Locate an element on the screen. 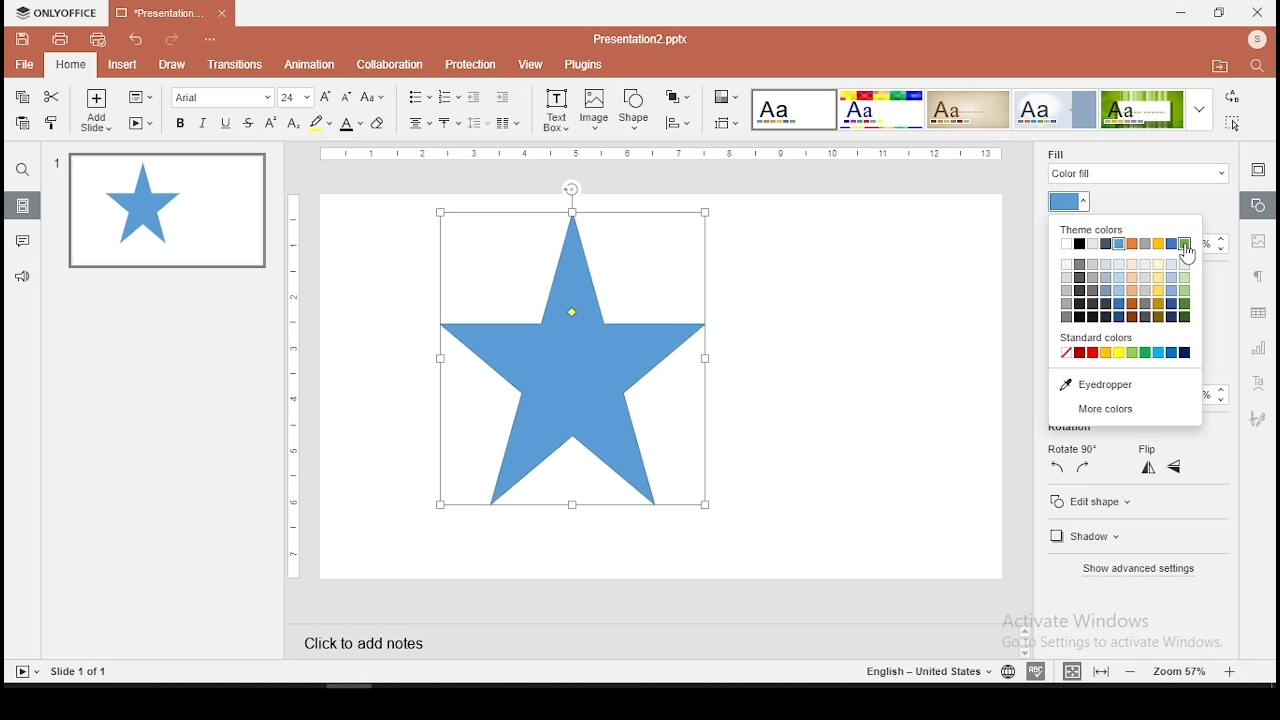  increase font size is located at coordinates (328, 98).